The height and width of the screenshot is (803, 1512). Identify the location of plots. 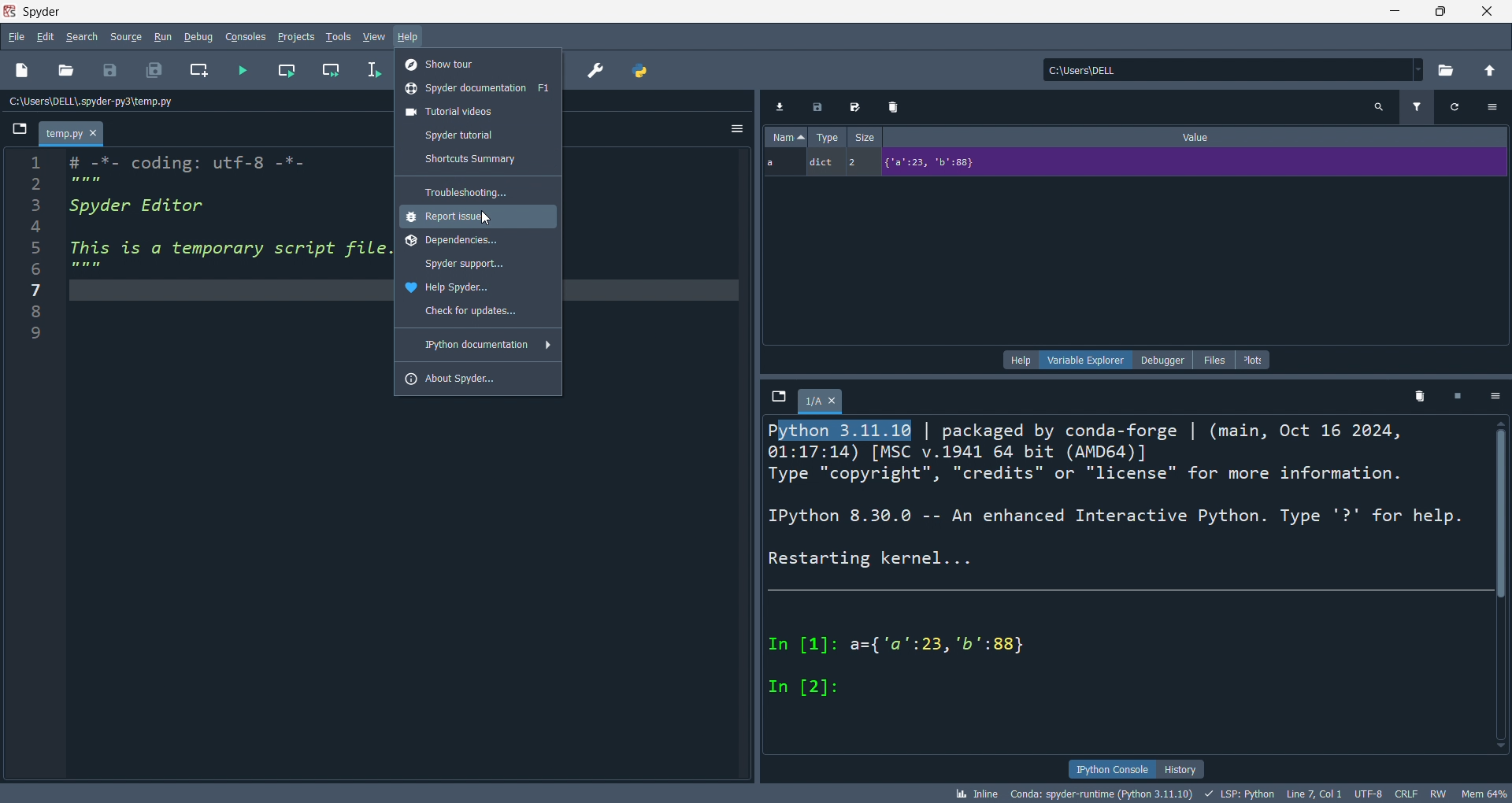
(1255, 361).